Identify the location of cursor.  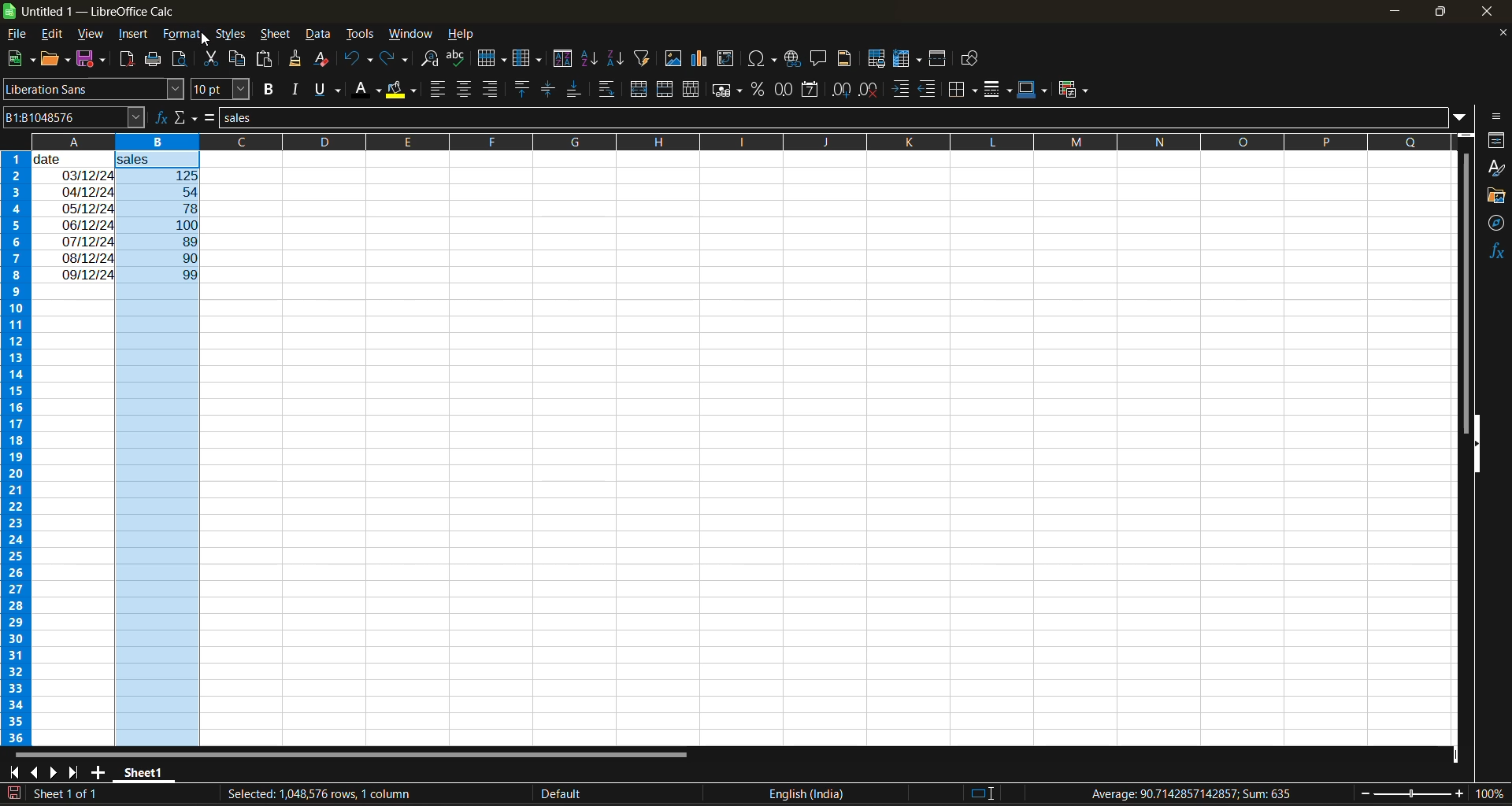
(204, 41).